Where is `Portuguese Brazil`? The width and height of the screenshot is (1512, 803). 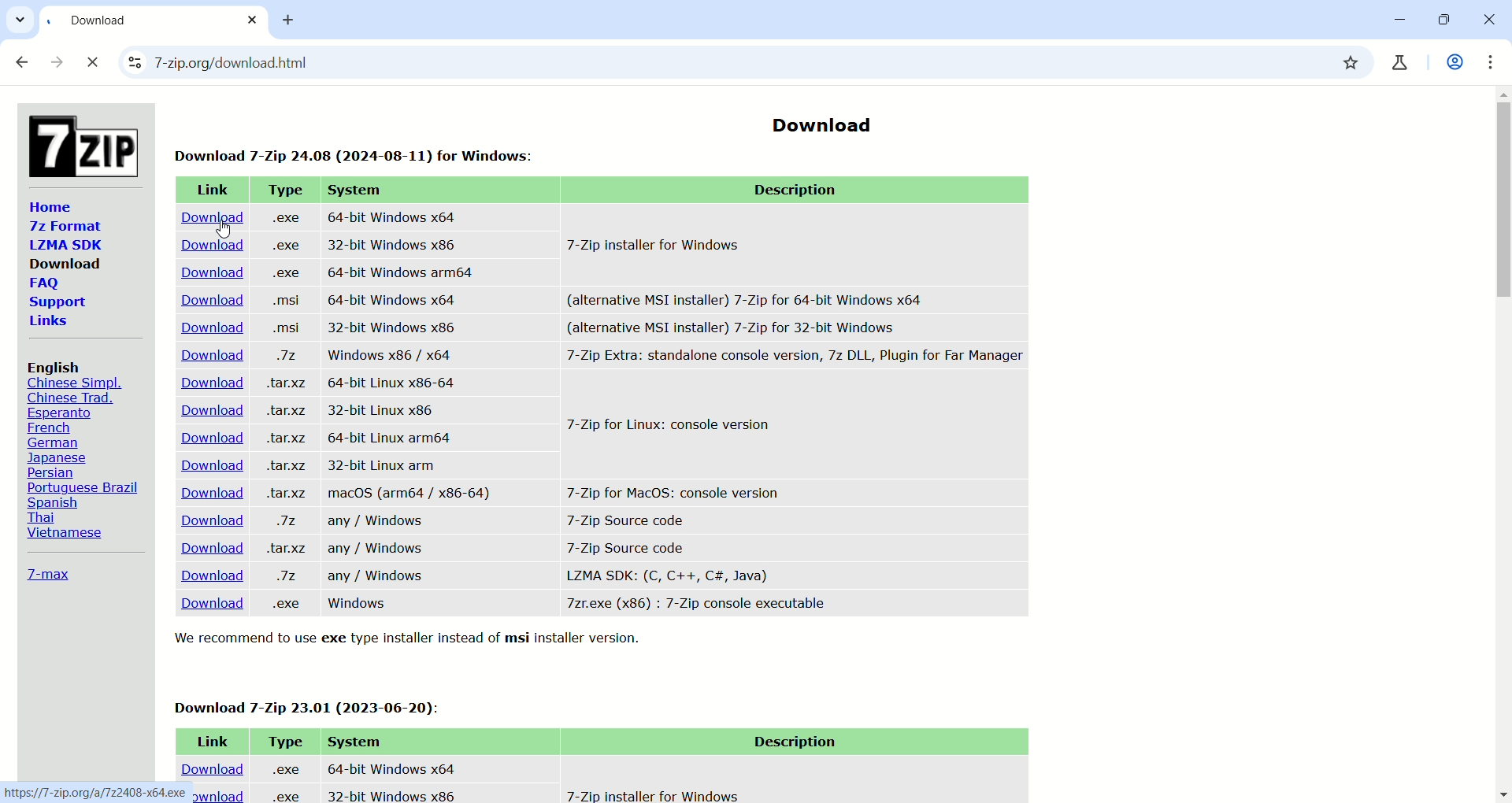
Portuguese Brazil is located at coordinates (85, 487).